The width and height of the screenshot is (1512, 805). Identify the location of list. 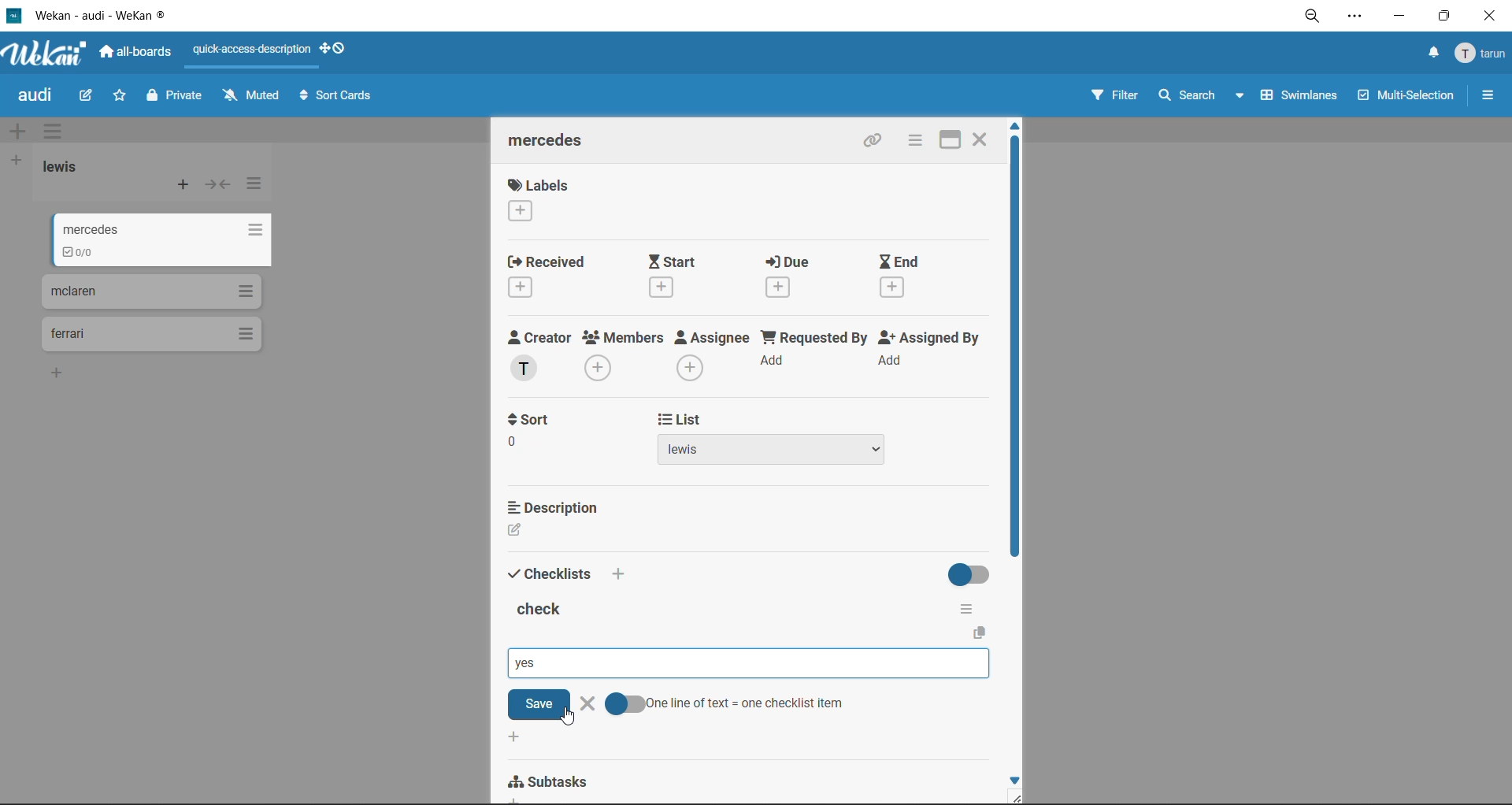
(683, 420).